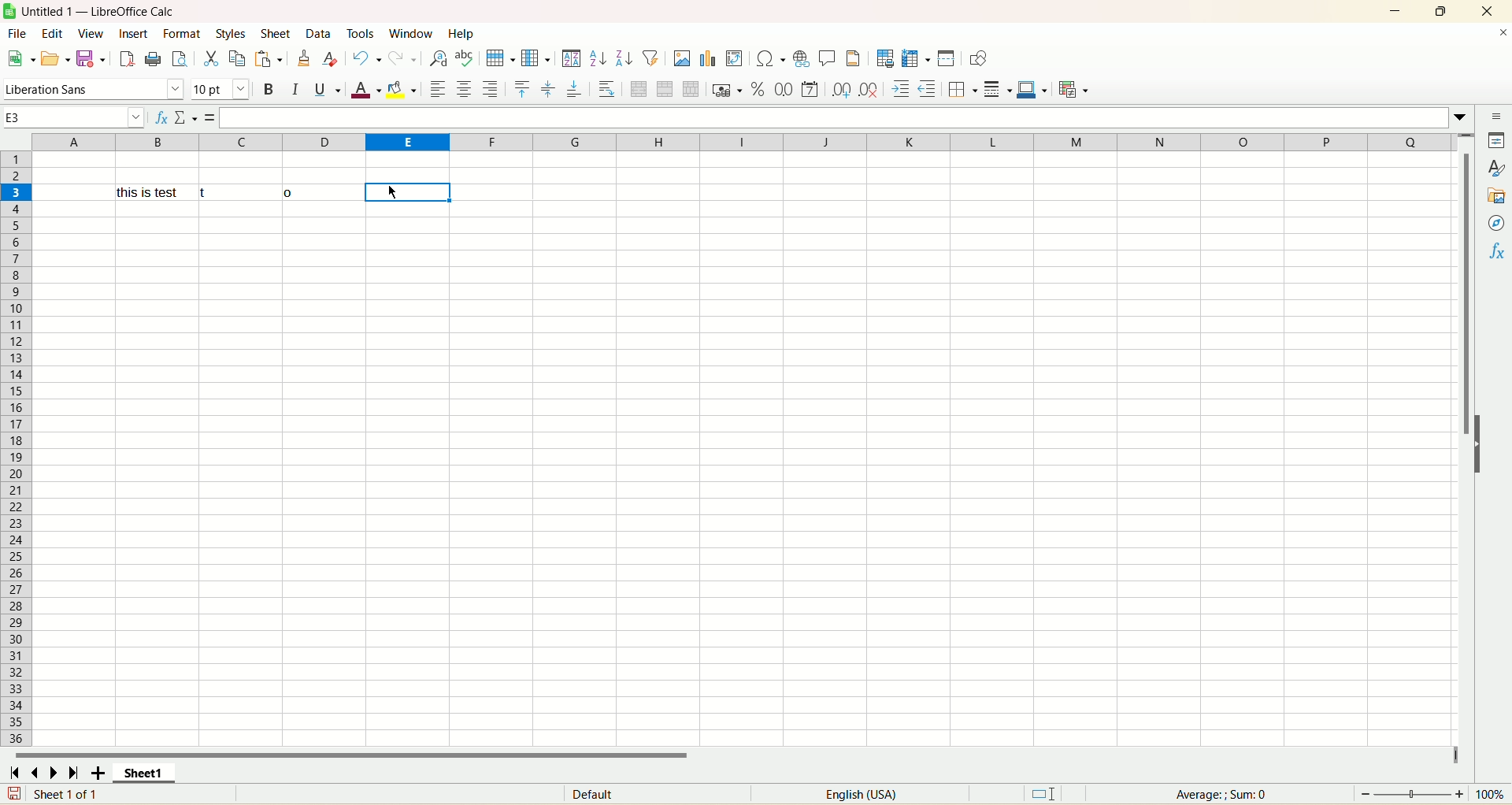 The image size is (1512, 805). What do you see at coordinates (220, 90) in the screenshot?
I see `font size` at bounding box center [220, 90].